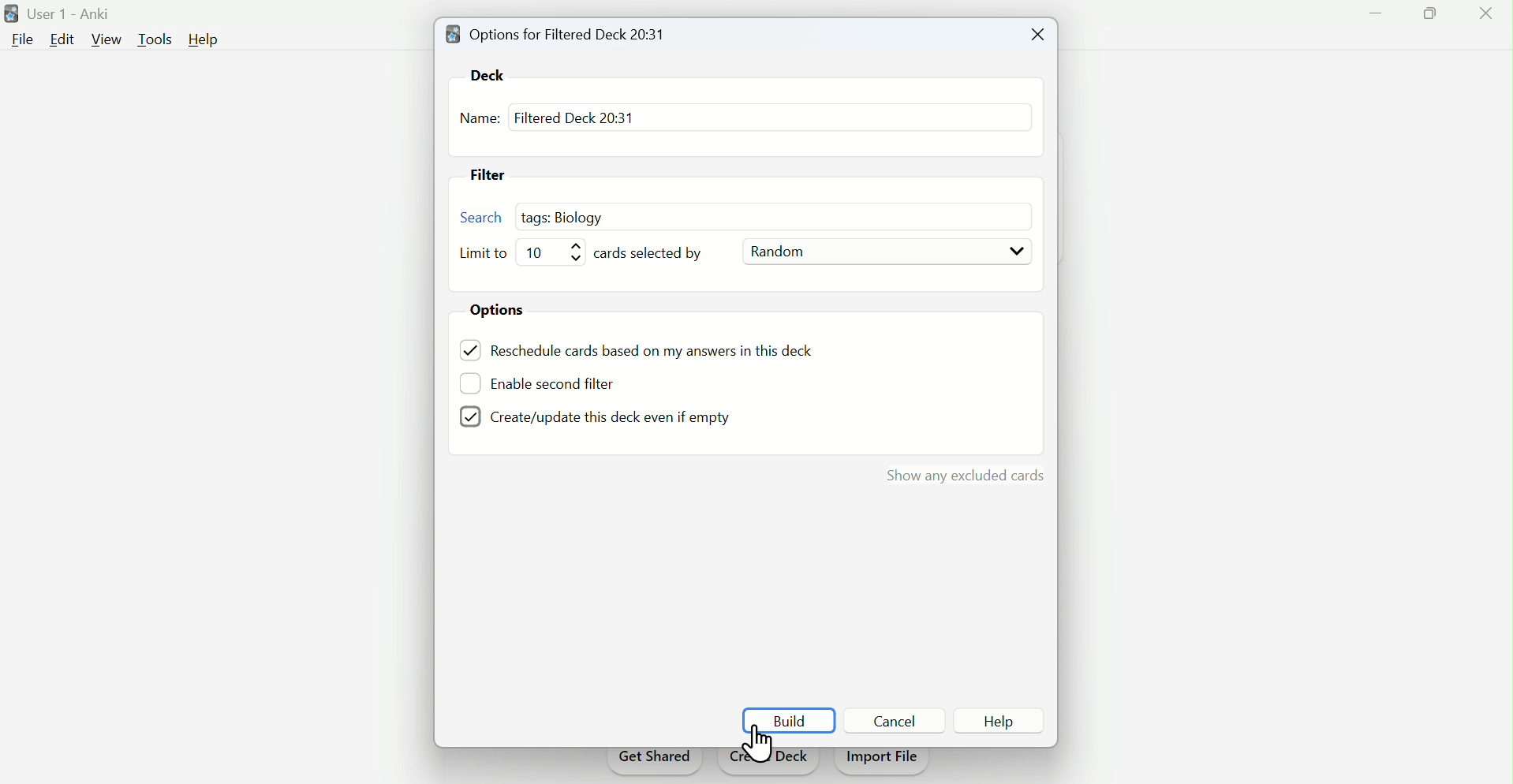  I want to click on Close, so click(1482, 17).